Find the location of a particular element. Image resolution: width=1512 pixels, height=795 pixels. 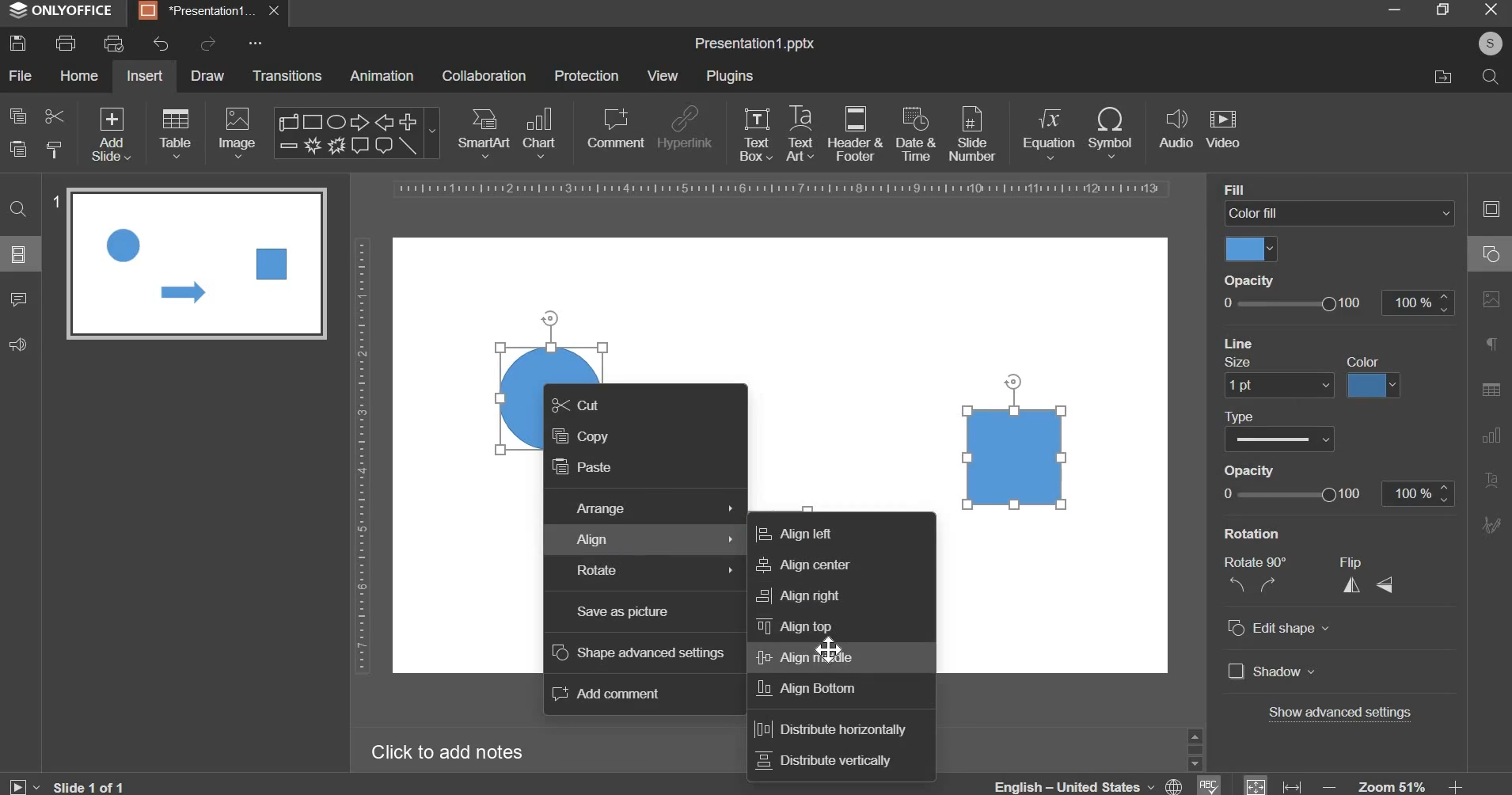

align left is located at coordinates (793, 533).